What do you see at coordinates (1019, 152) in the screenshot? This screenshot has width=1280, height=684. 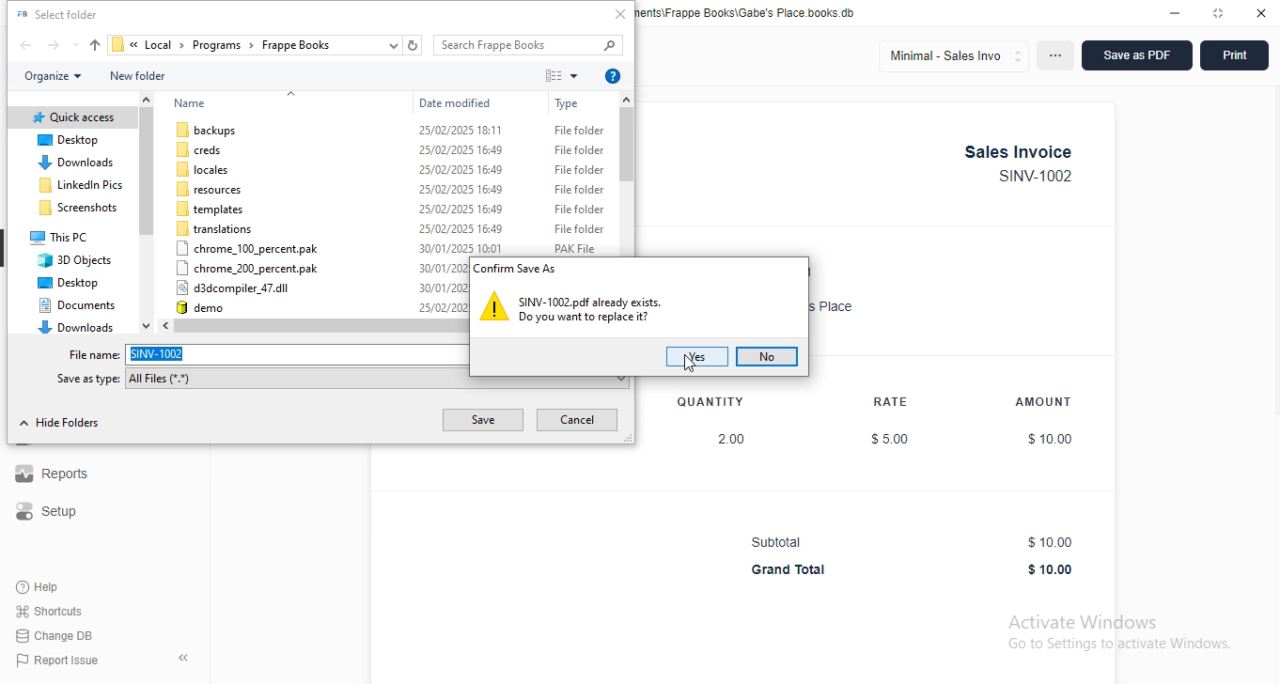 I see `Sales Invoice` at bounding box center [1019, 152].